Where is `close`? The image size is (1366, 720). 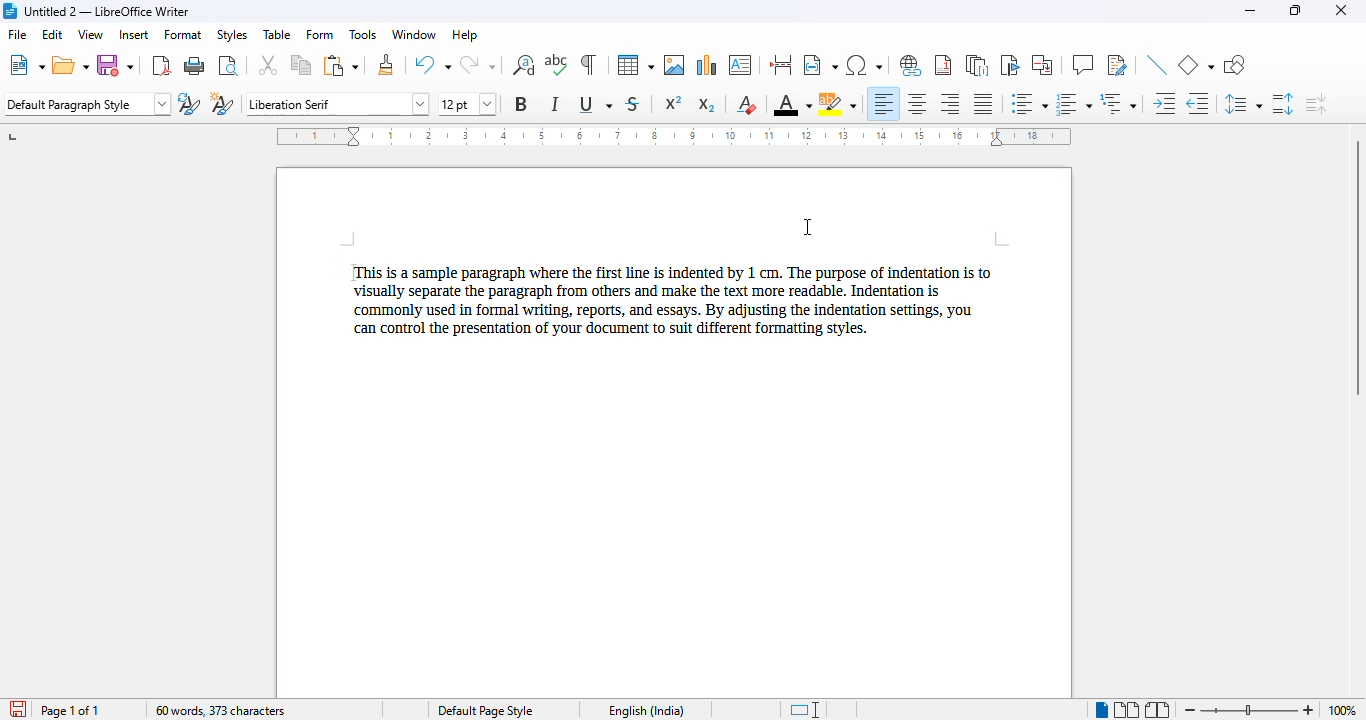
close is located at coordinates (1340, 10).